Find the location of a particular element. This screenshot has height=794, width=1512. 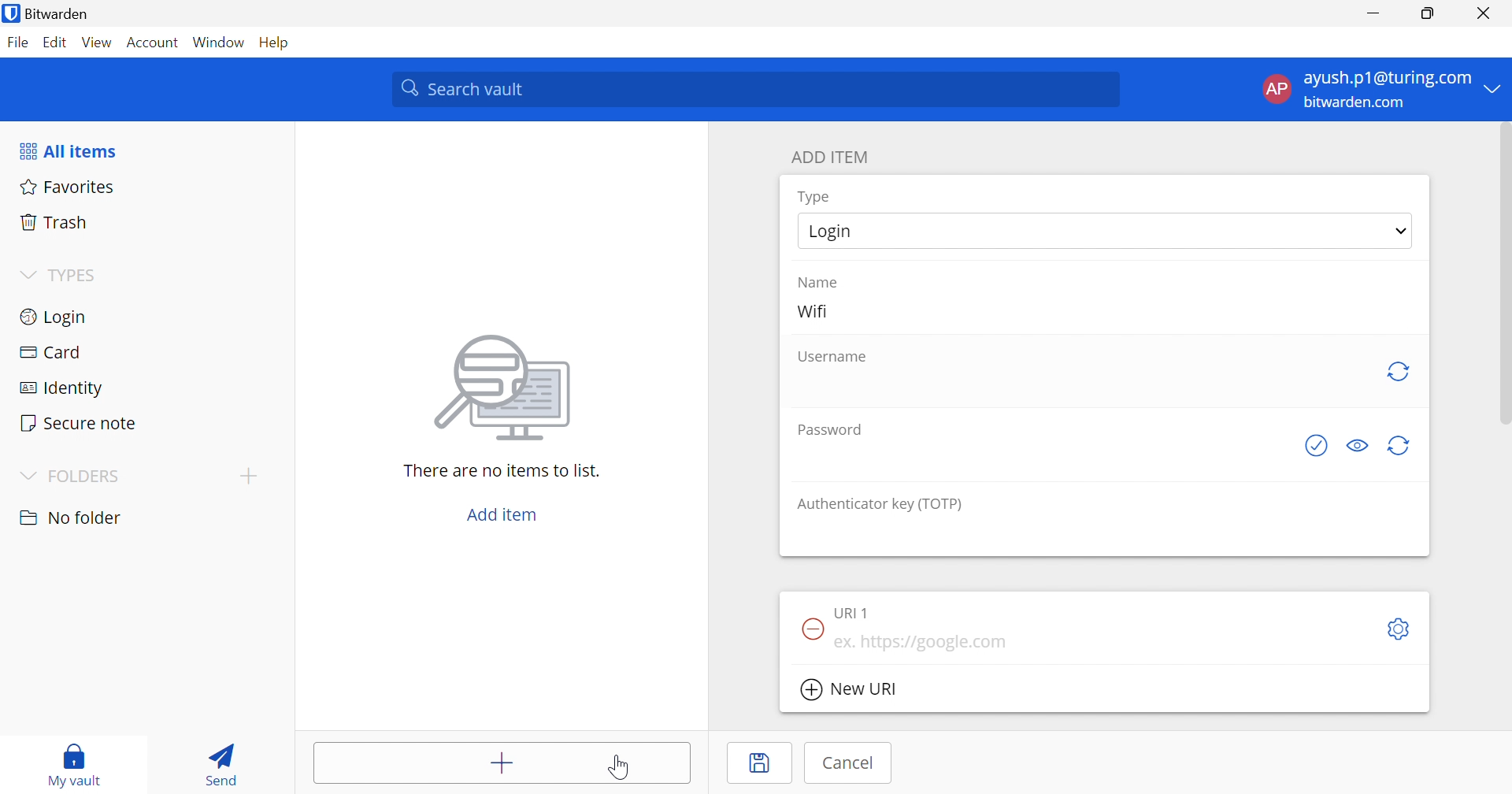

Add item is located at coordinates (502, 514).